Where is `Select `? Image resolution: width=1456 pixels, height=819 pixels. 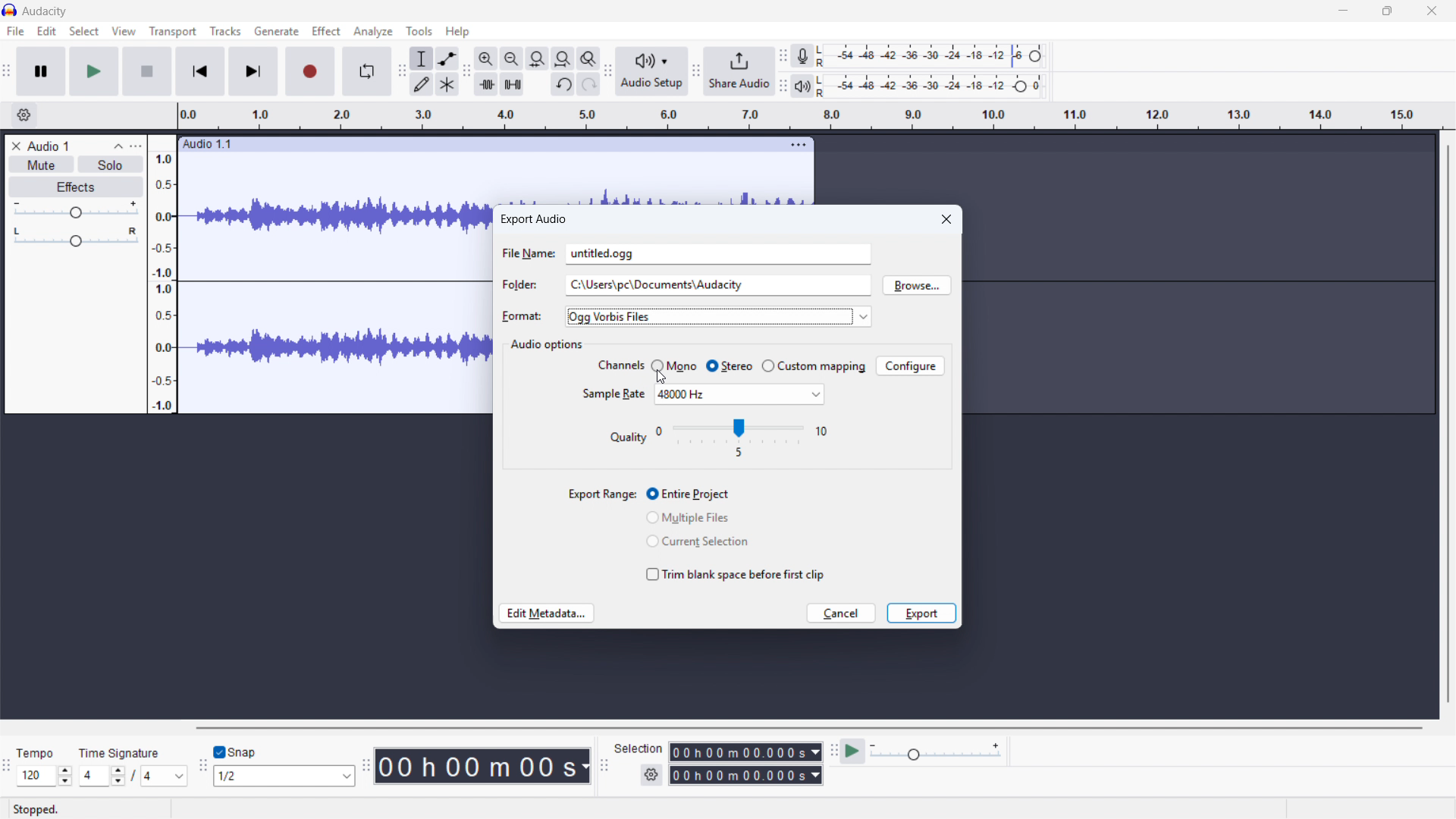 Select  is located at coordinates (84, 32).